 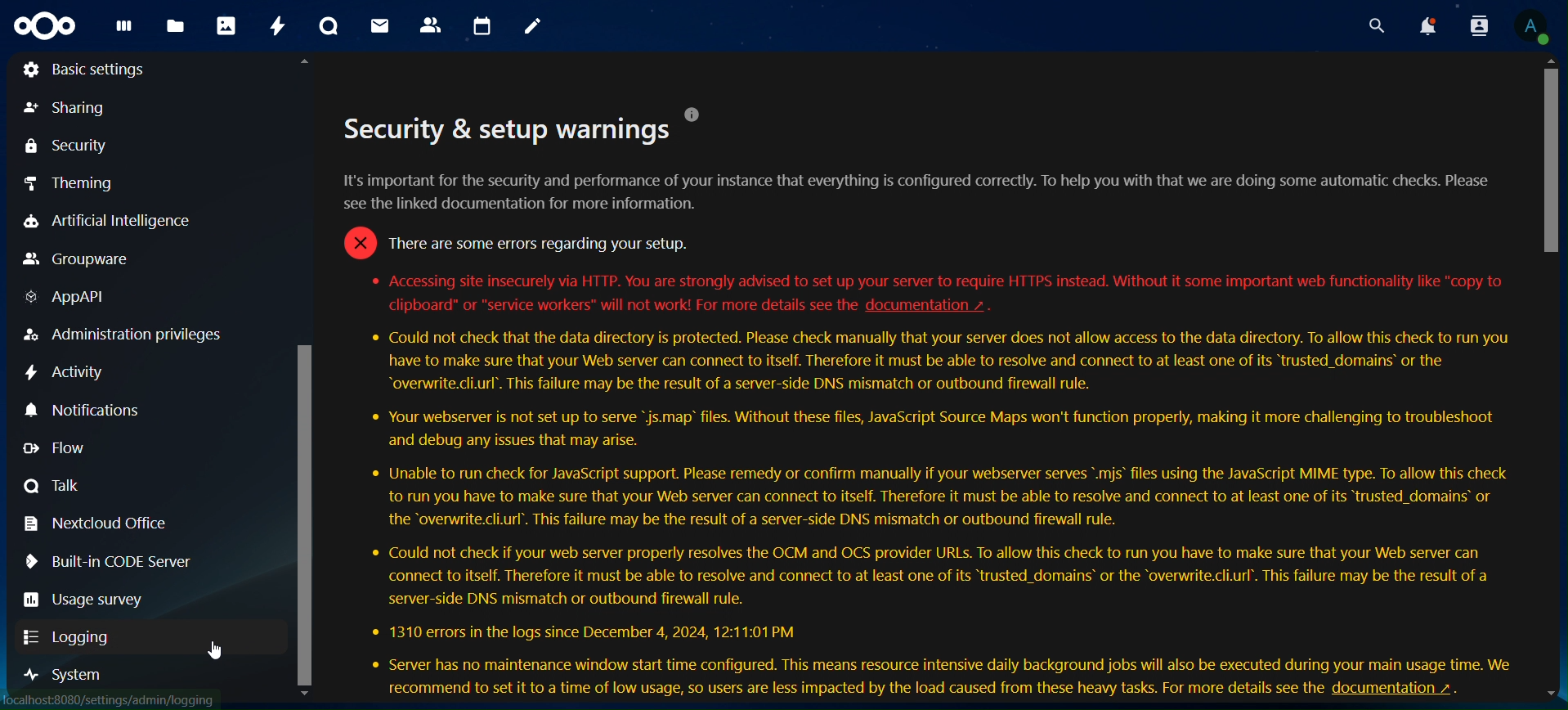 I want to click on cursor, so click(x=217, y=653).